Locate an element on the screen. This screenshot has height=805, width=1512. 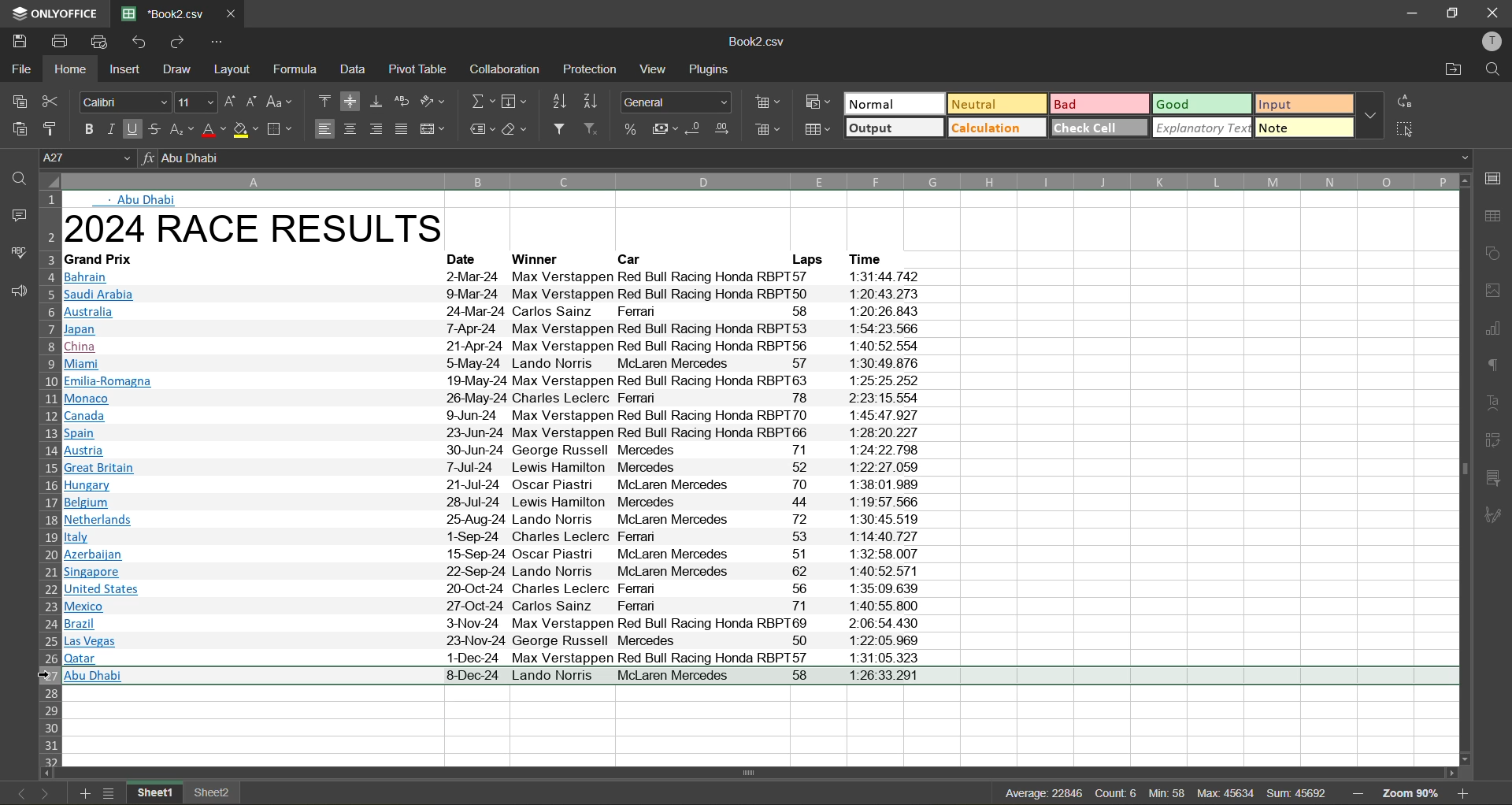
text info is located at coordinates (507, 450).